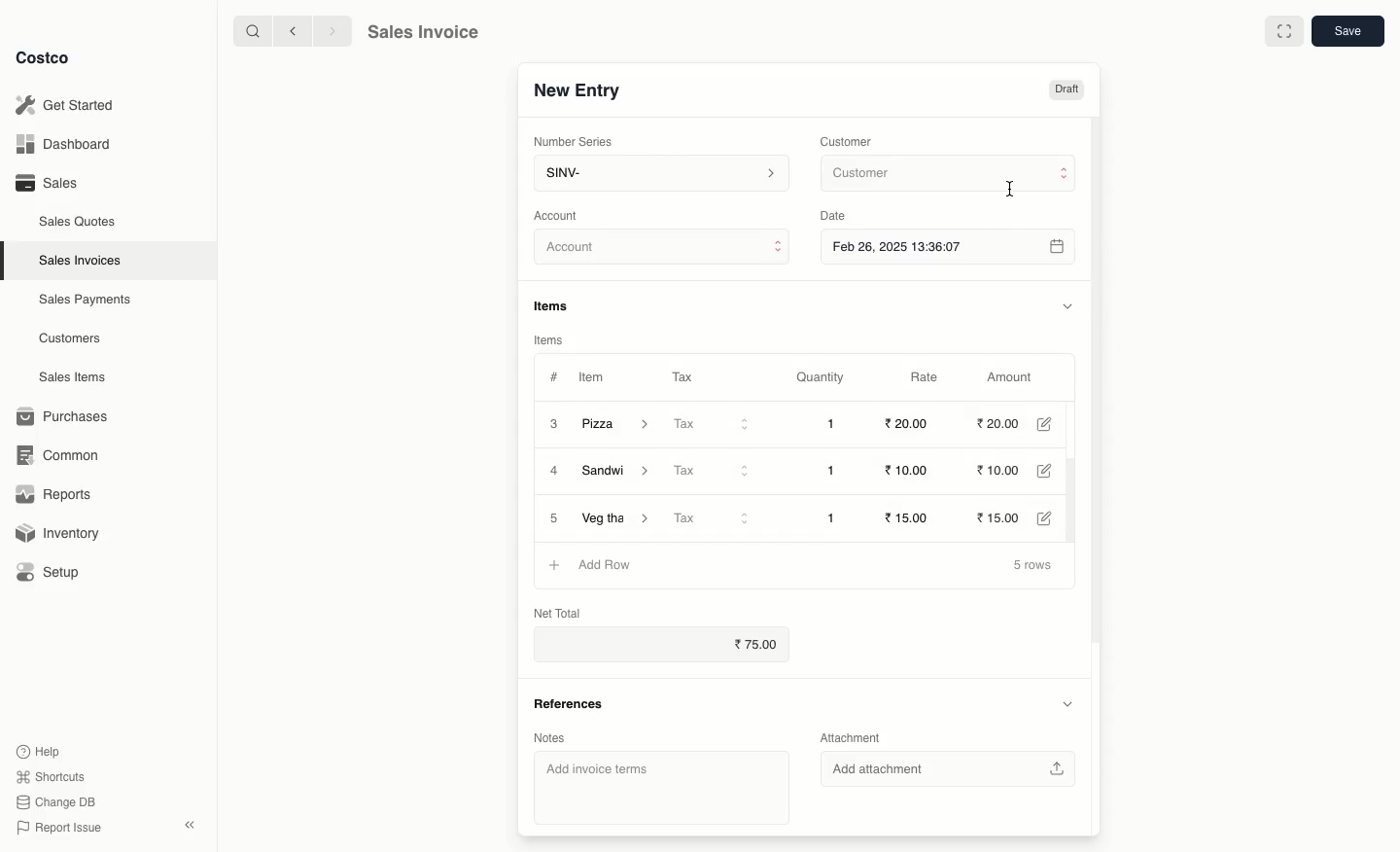  What do you see at coordinates (54, 496) in the screenshot?
I see `Reports` at bounding box center [54, 496].